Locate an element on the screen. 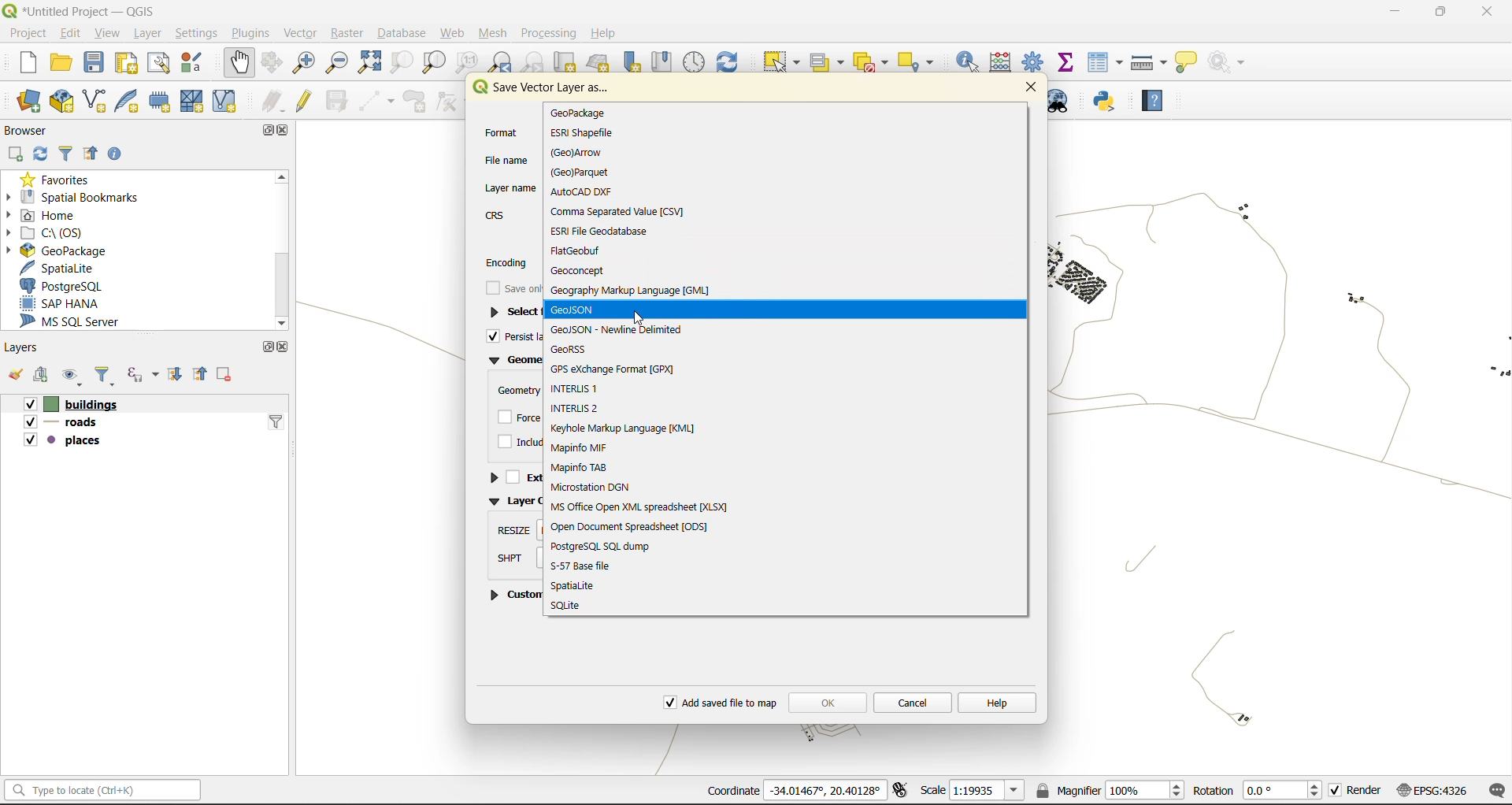  Service Vector layer is located at coordinates (540, 92).